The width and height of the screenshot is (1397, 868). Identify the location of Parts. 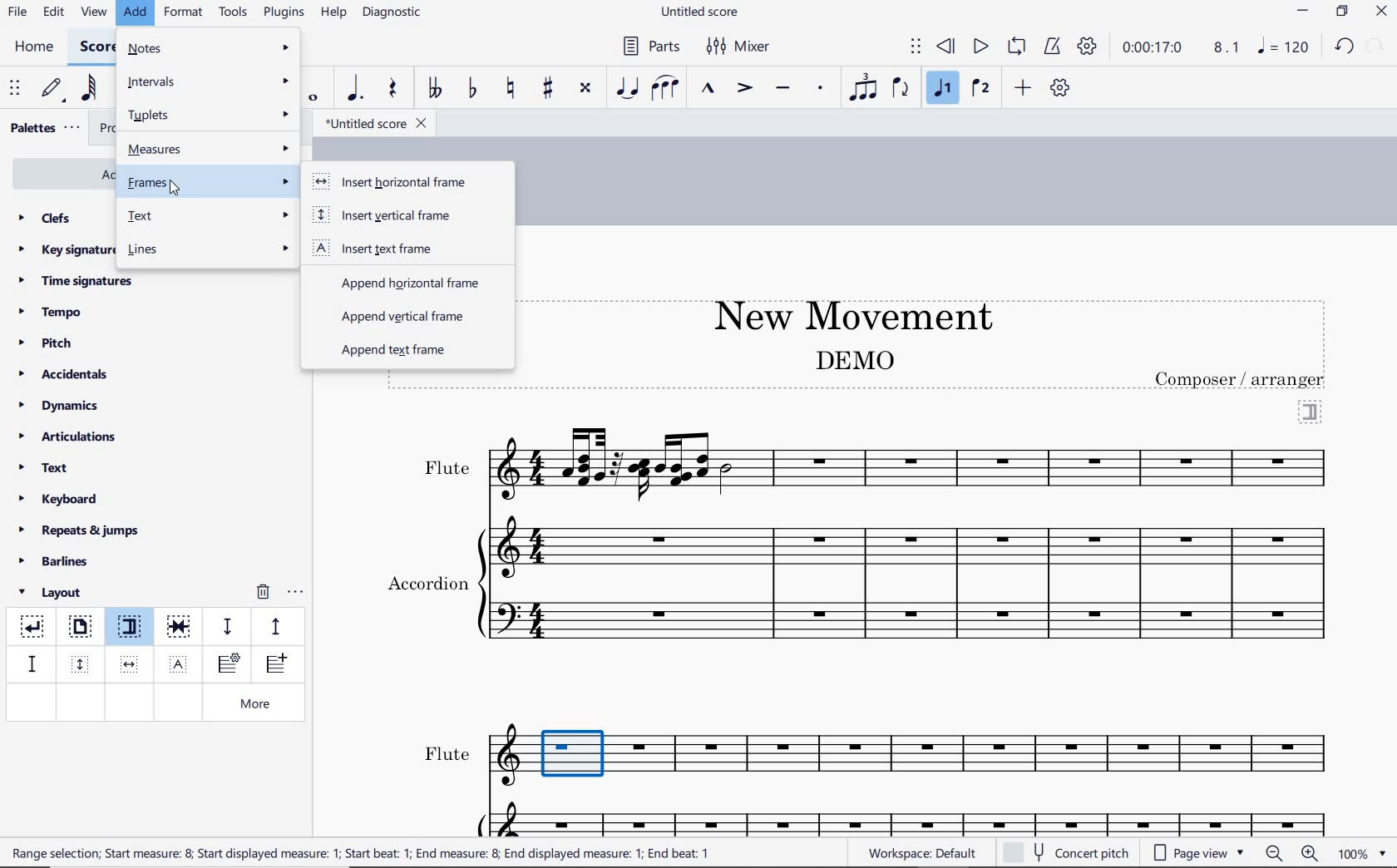
(648, 47).